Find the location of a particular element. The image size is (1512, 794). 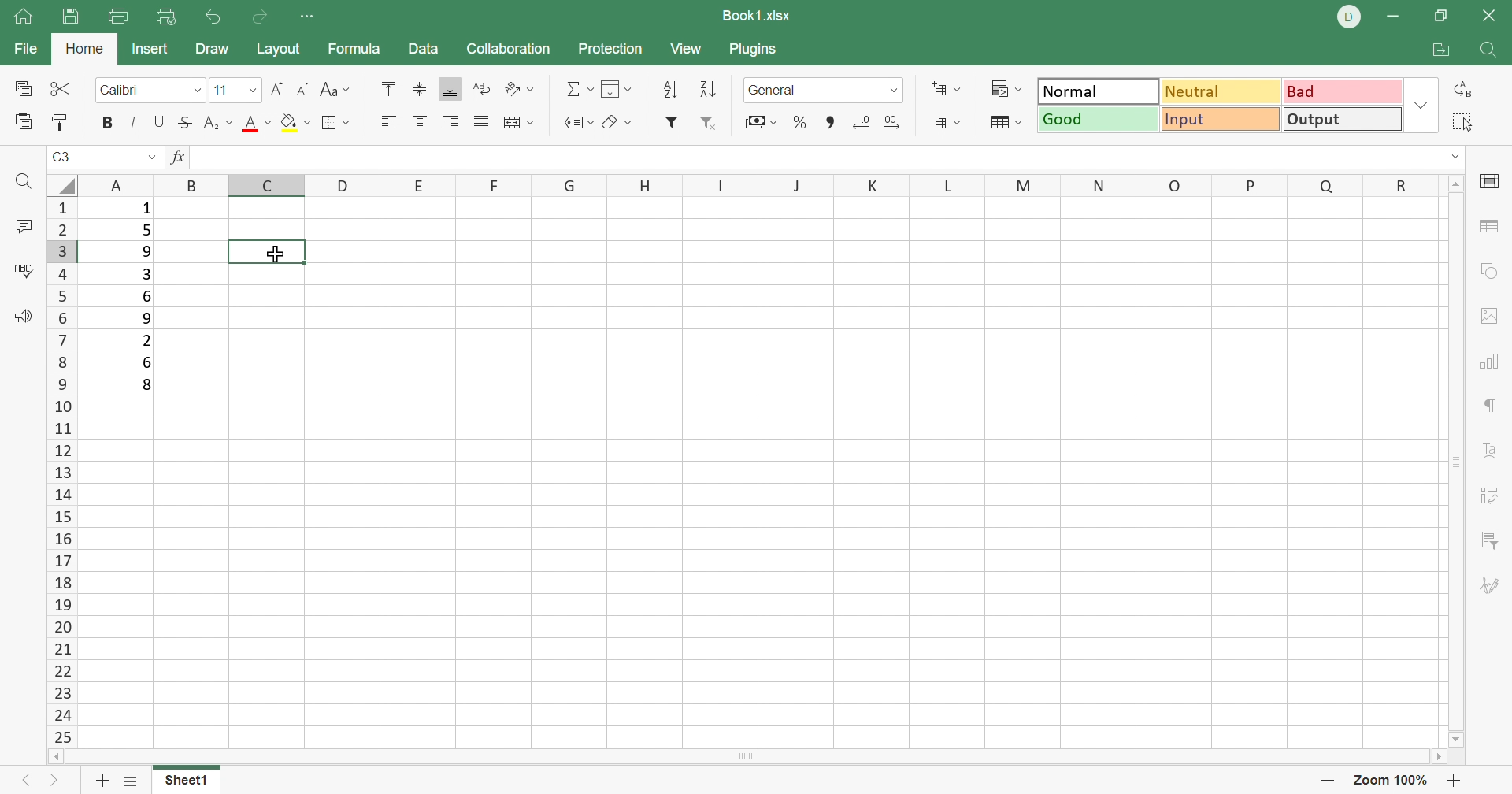

Data is located at coordinates (426, 50).